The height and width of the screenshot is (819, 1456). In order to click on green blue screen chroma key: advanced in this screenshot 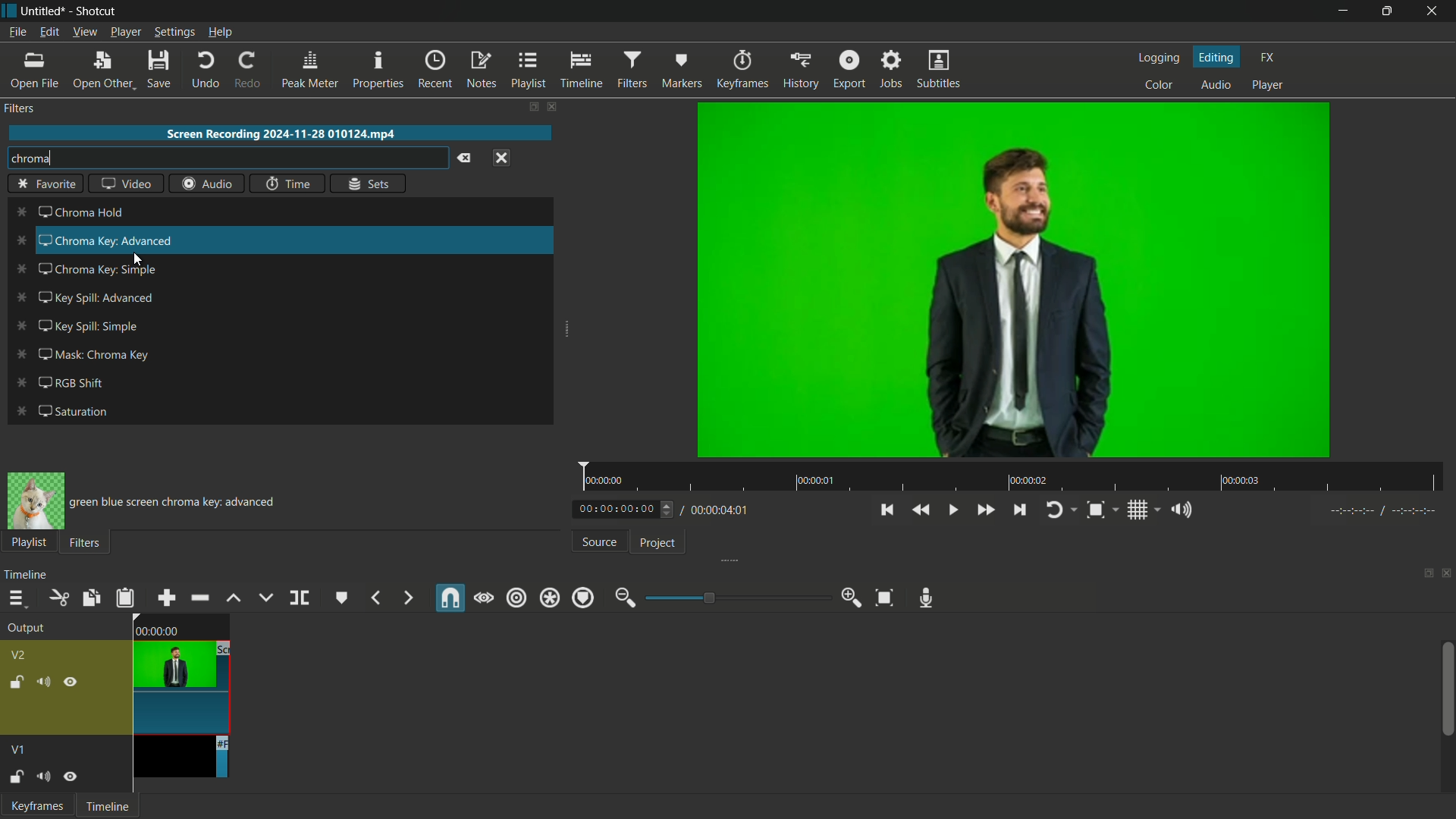, I will do `click(175, 504)`.